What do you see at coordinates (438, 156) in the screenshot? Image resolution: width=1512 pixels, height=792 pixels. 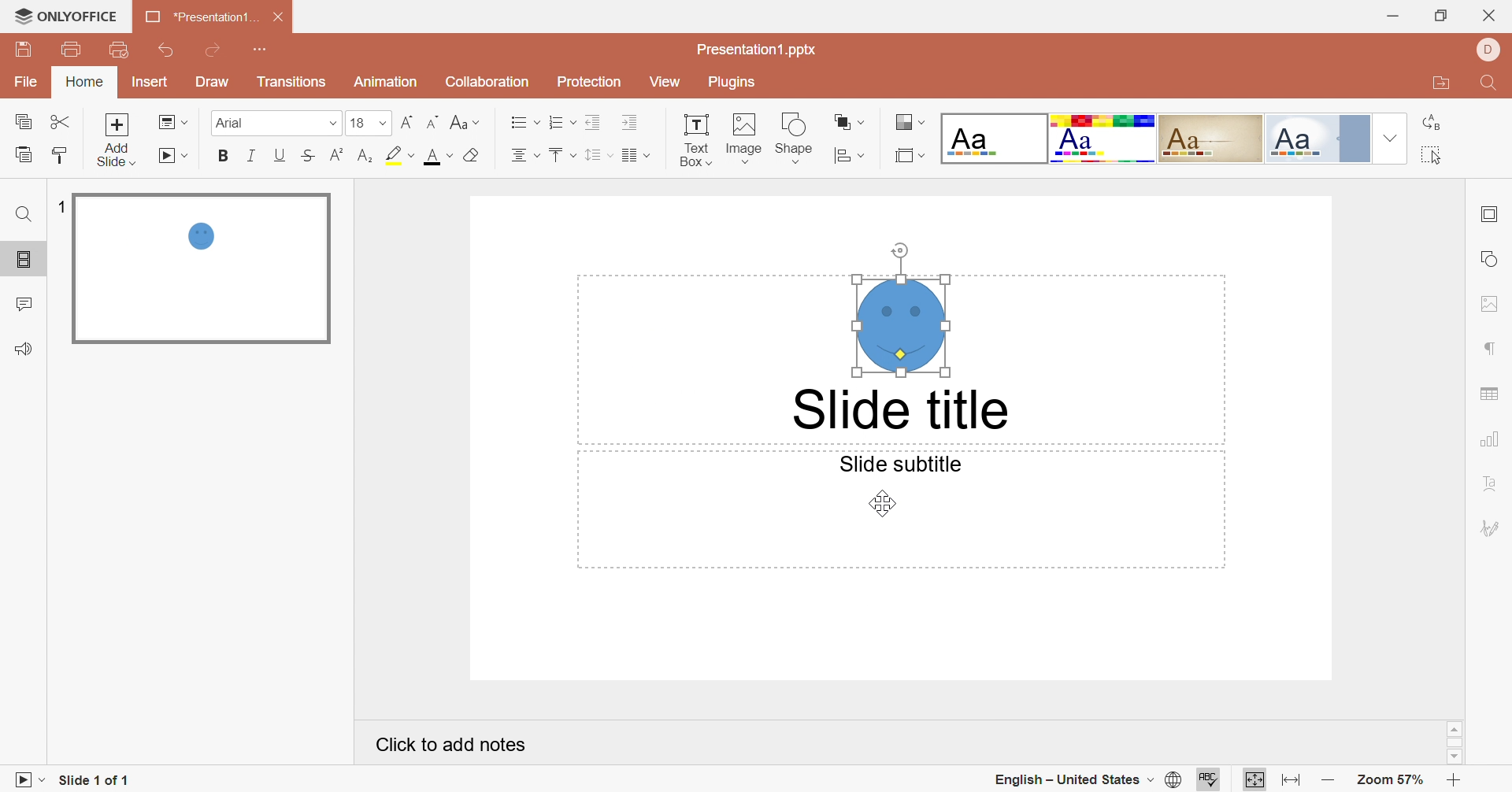 I see `Font color` at bounding box center [438, 156].